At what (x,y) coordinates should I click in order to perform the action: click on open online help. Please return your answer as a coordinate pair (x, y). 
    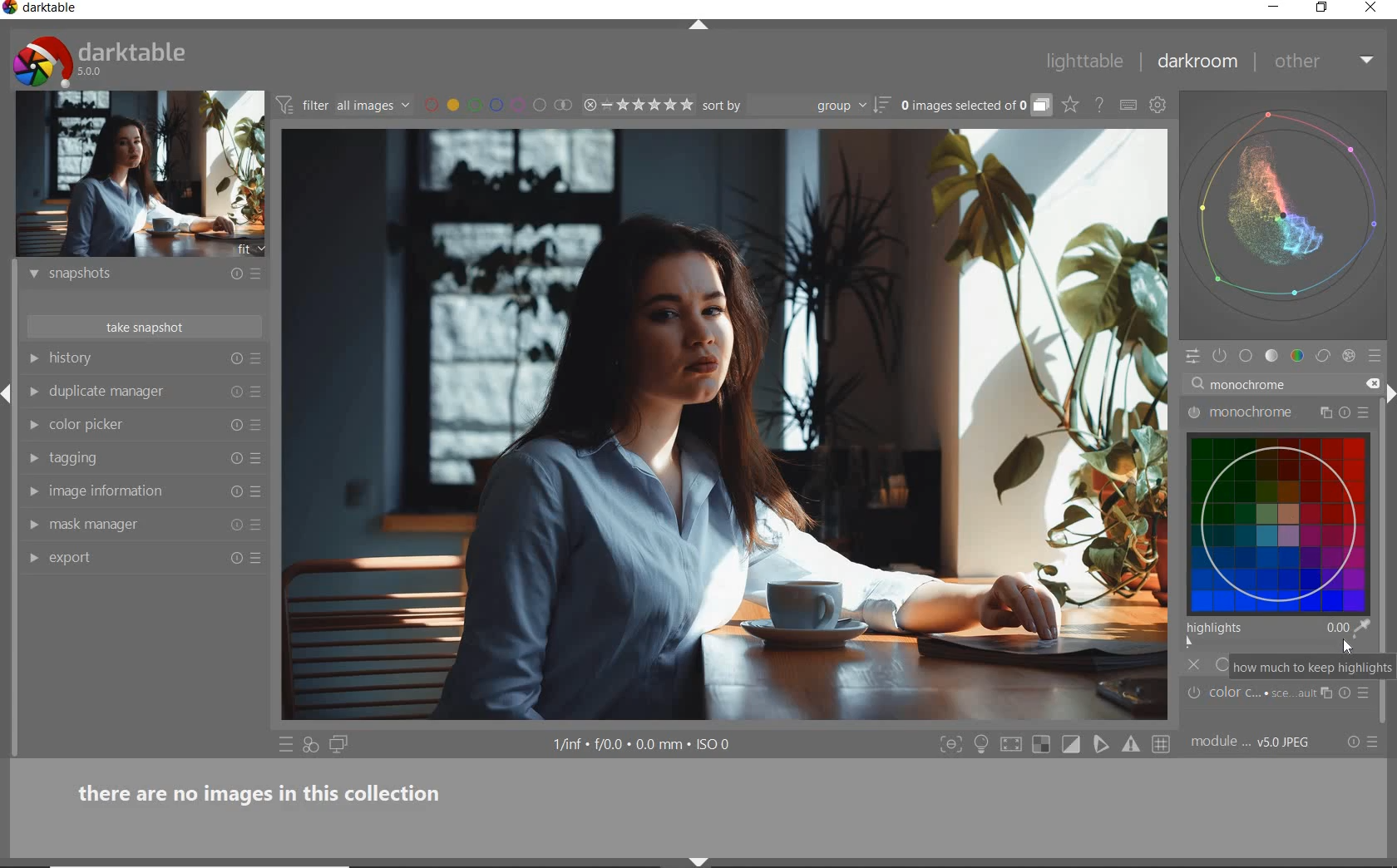
    Looking at the image, I should click on (1099, 104).